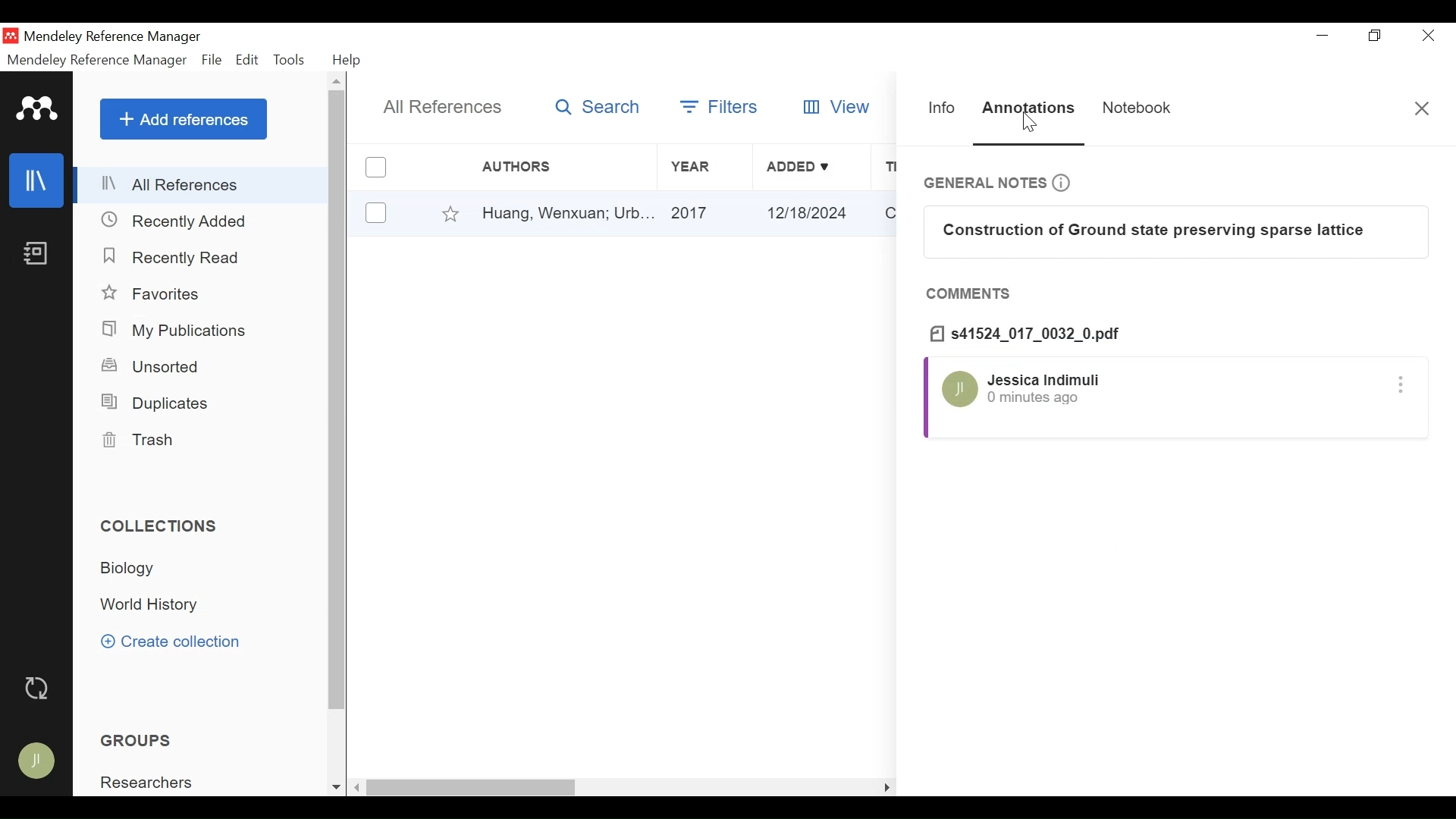  I want to click on All References, so click(448, 107).